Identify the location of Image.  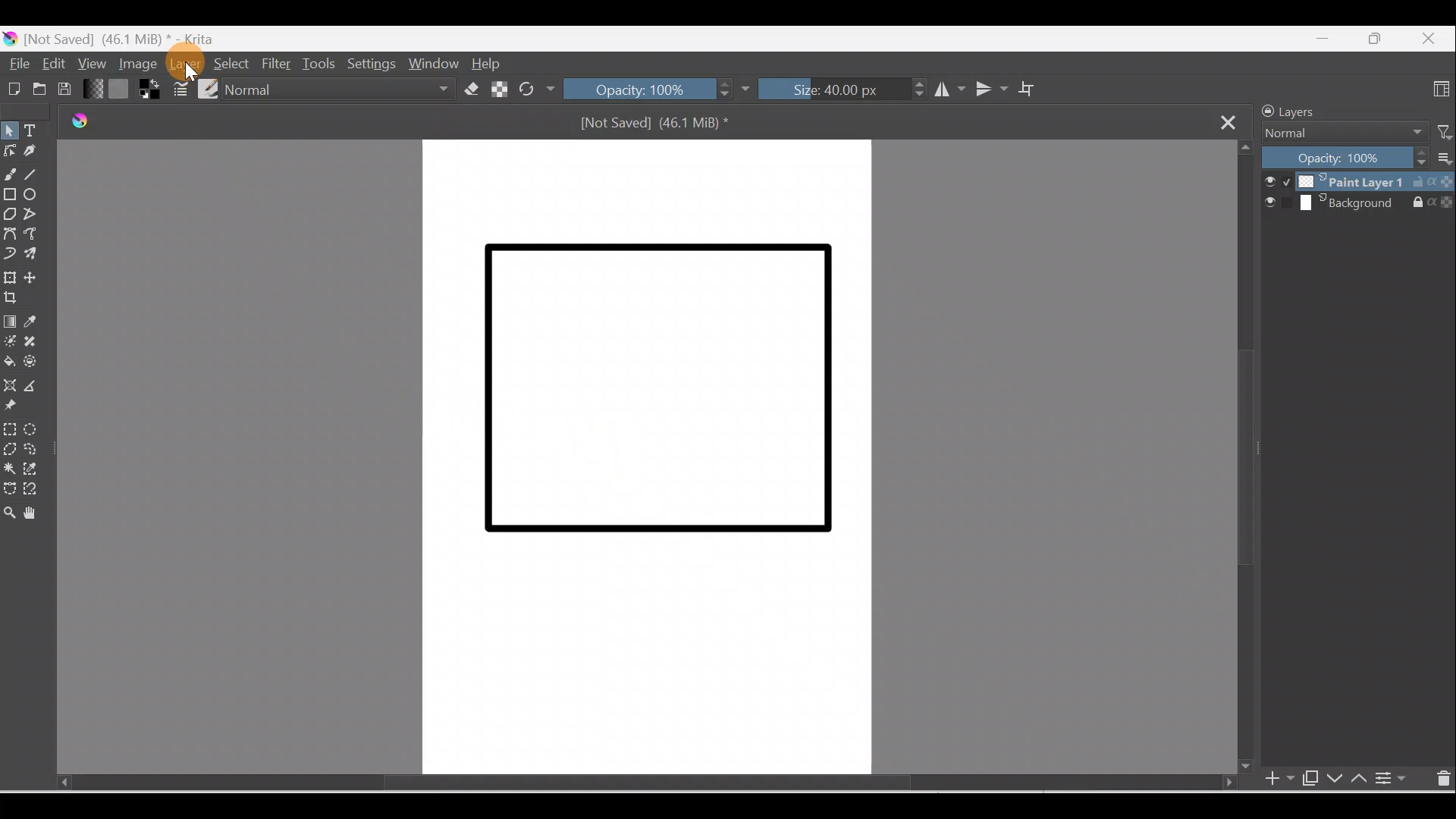
(135, 64).